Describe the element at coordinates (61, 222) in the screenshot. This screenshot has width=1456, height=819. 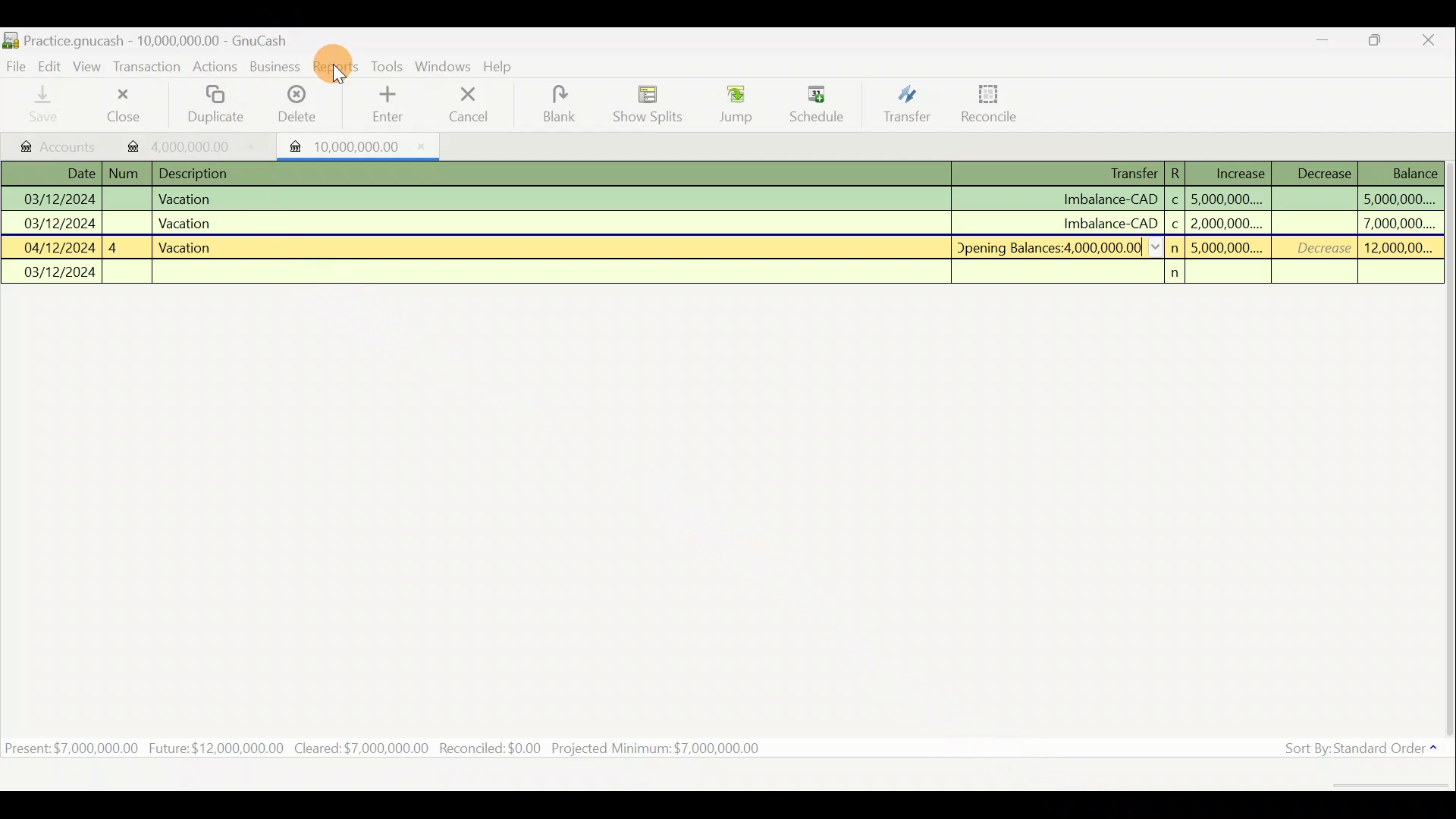
I see `03/12/2024` at that location.